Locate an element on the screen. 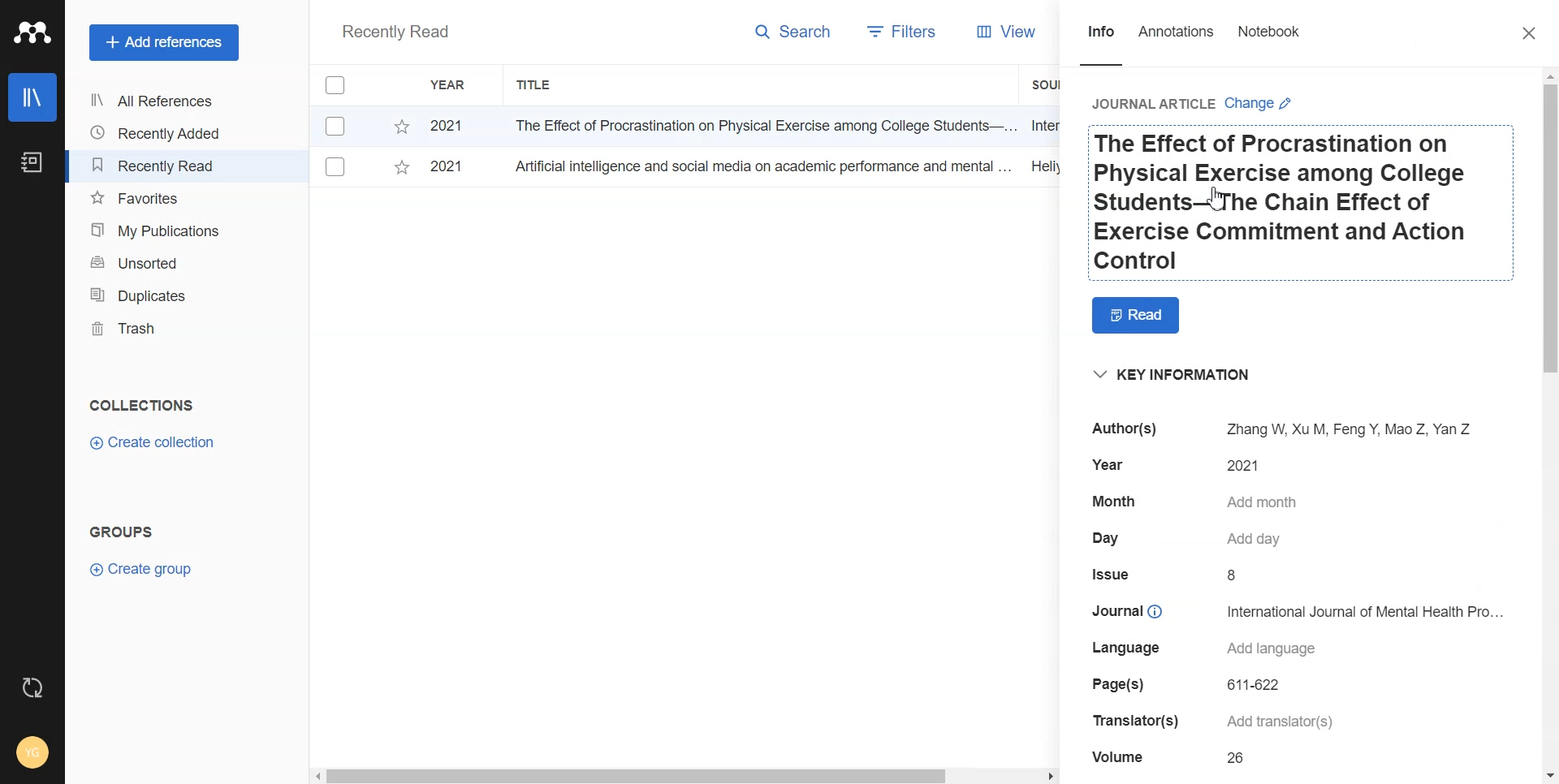 The height and width of the screenshot is (784, 1559). All References is located at coordinates (158, 101).